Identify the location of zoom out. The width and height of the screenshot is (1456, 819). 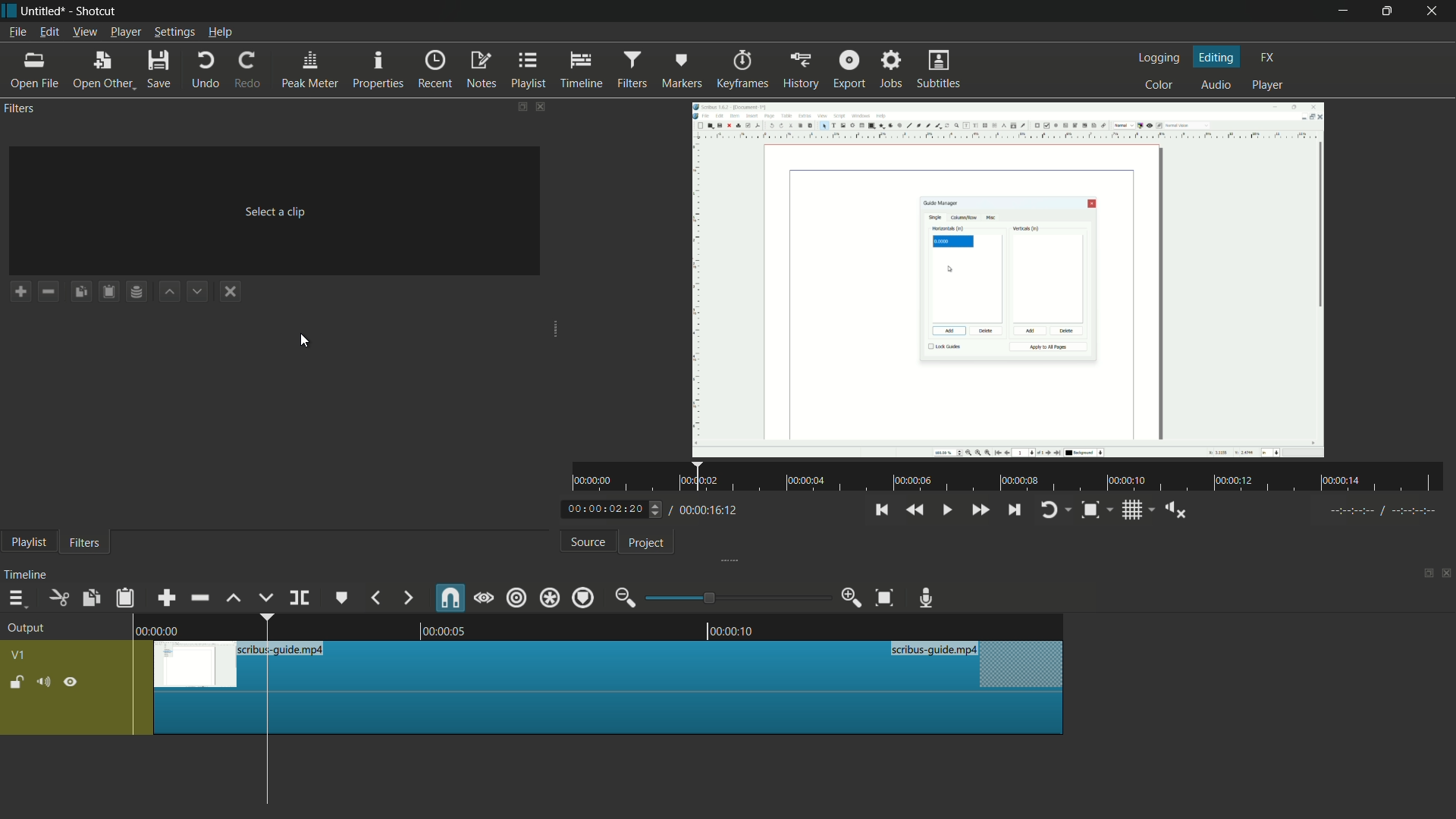
(624, 597).